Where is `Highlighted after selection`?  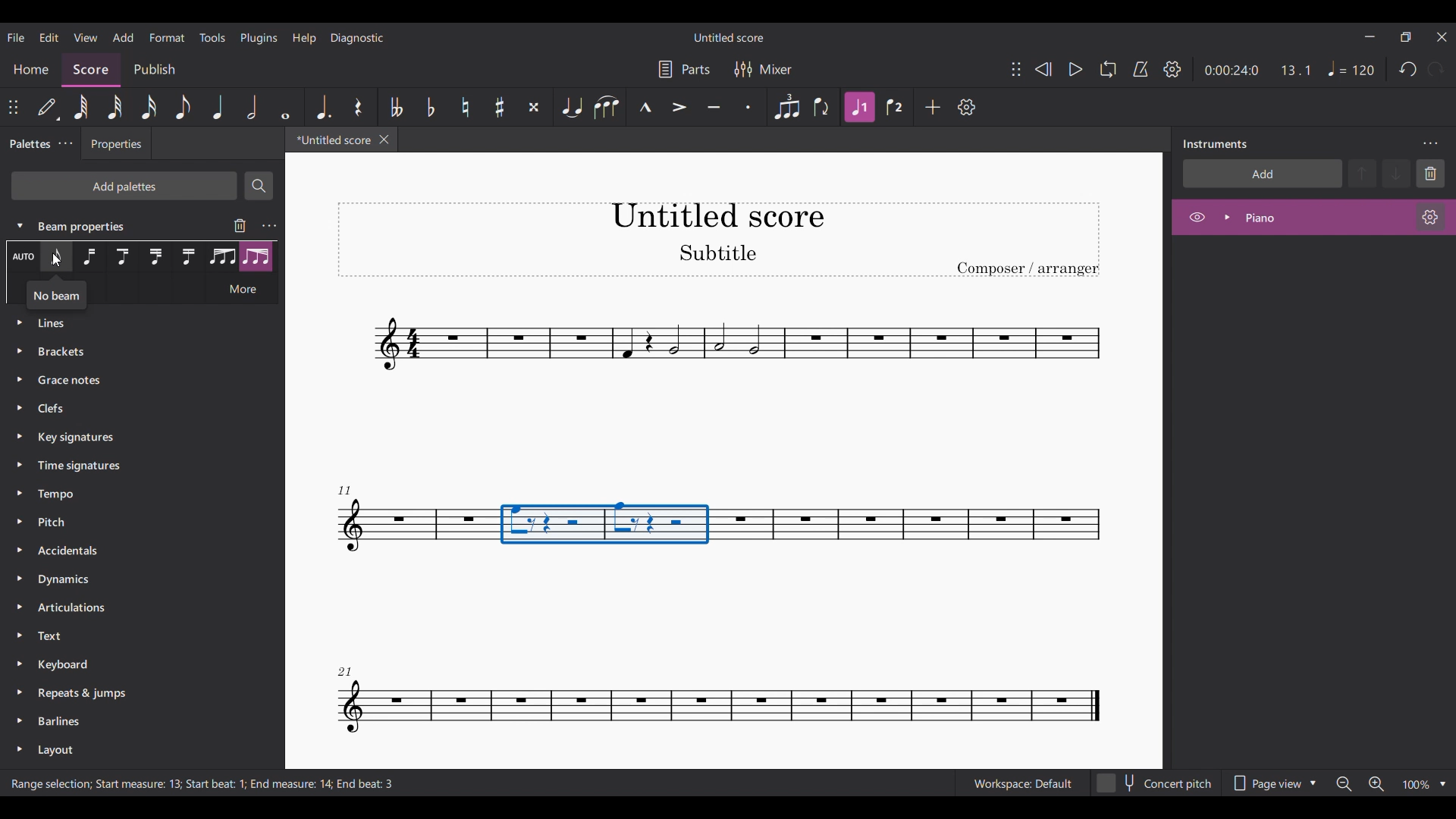
Highlighted after selection is located at coordinates (860, 107).